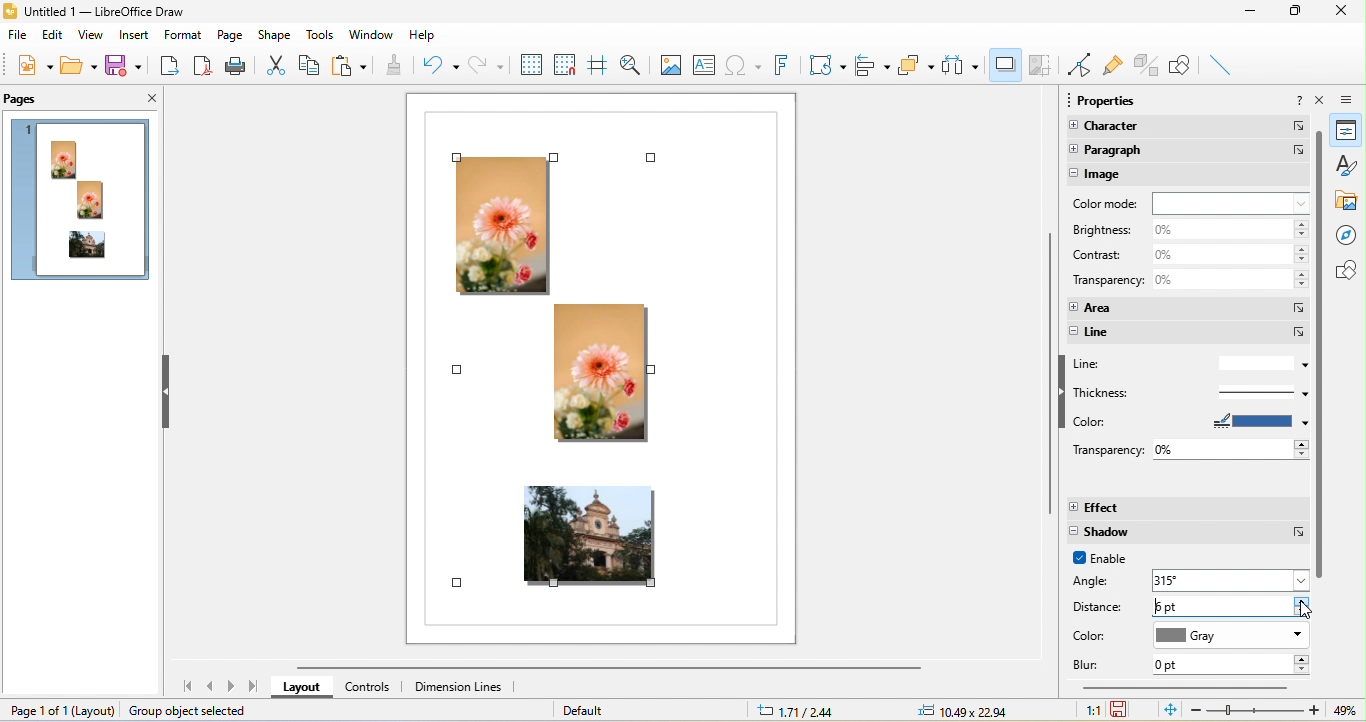 This screenshot has width=1366, height=722. Describe the element at coordinates (596, 66) in the screenshot. I see `helpline while moving` at that location.